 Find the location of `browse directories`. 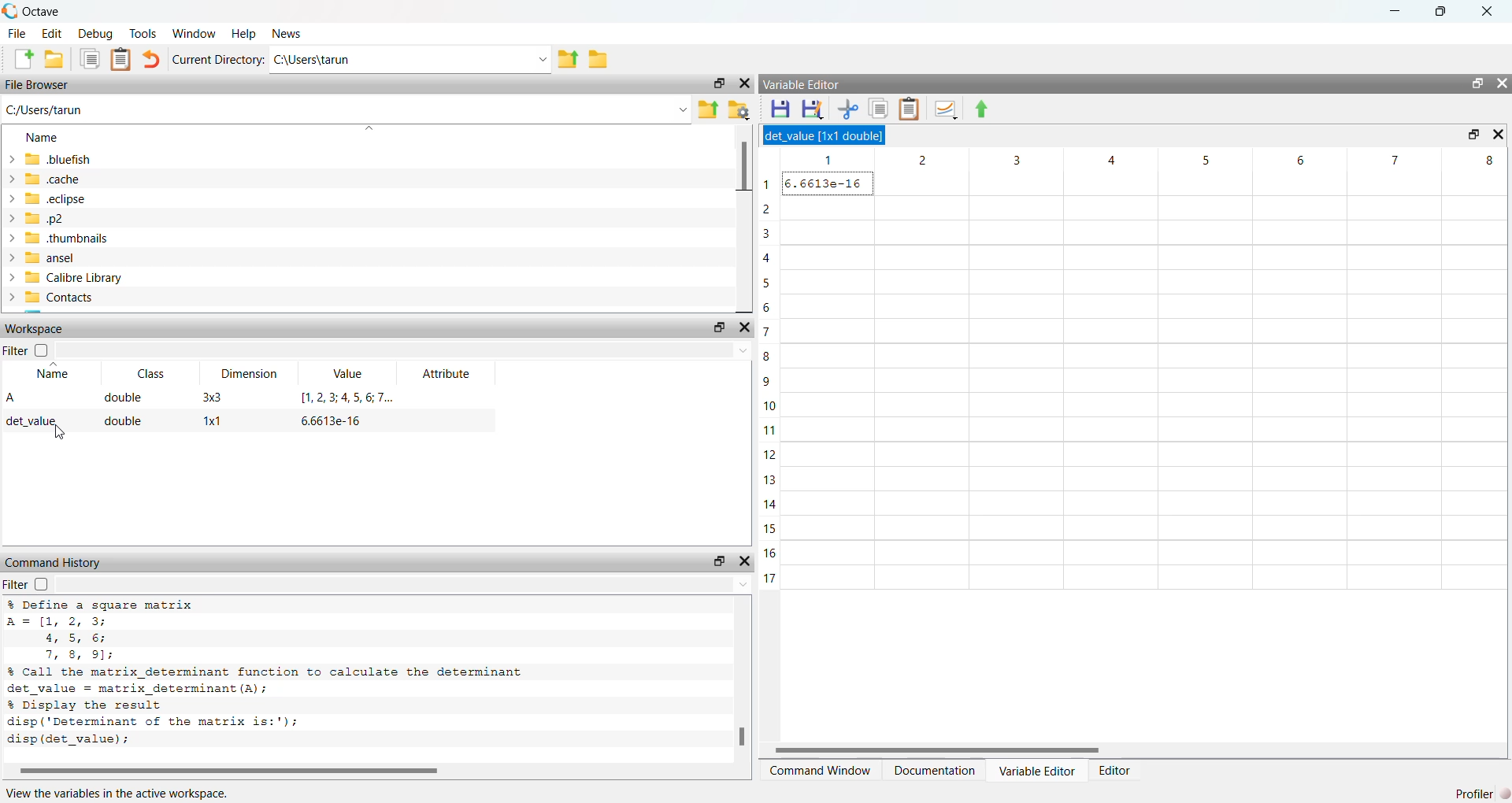

browse directories is located at coordinates (601, 60).